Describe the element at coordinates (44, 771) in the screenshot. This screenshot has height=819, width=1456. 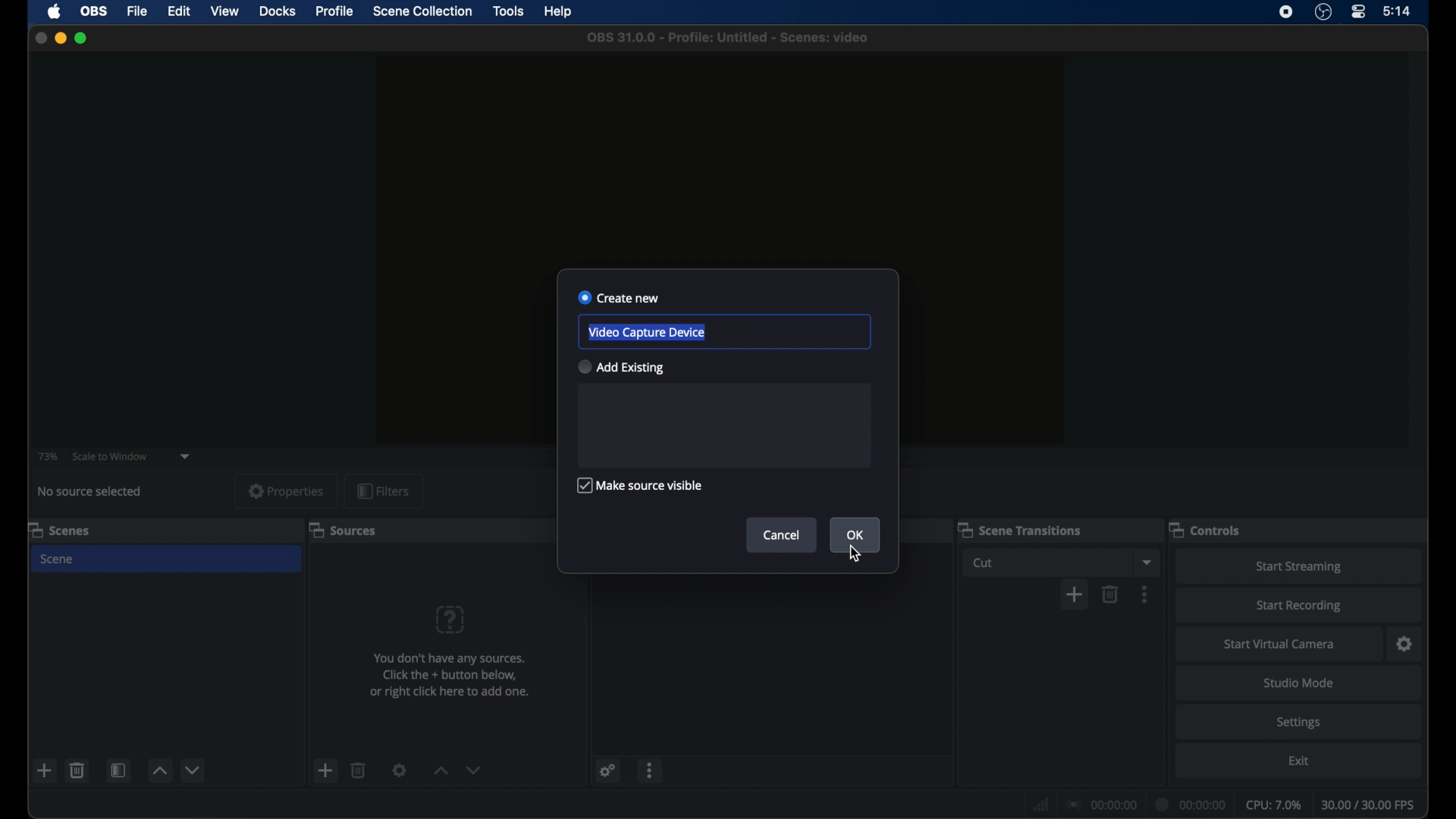
I see `add` at that location.